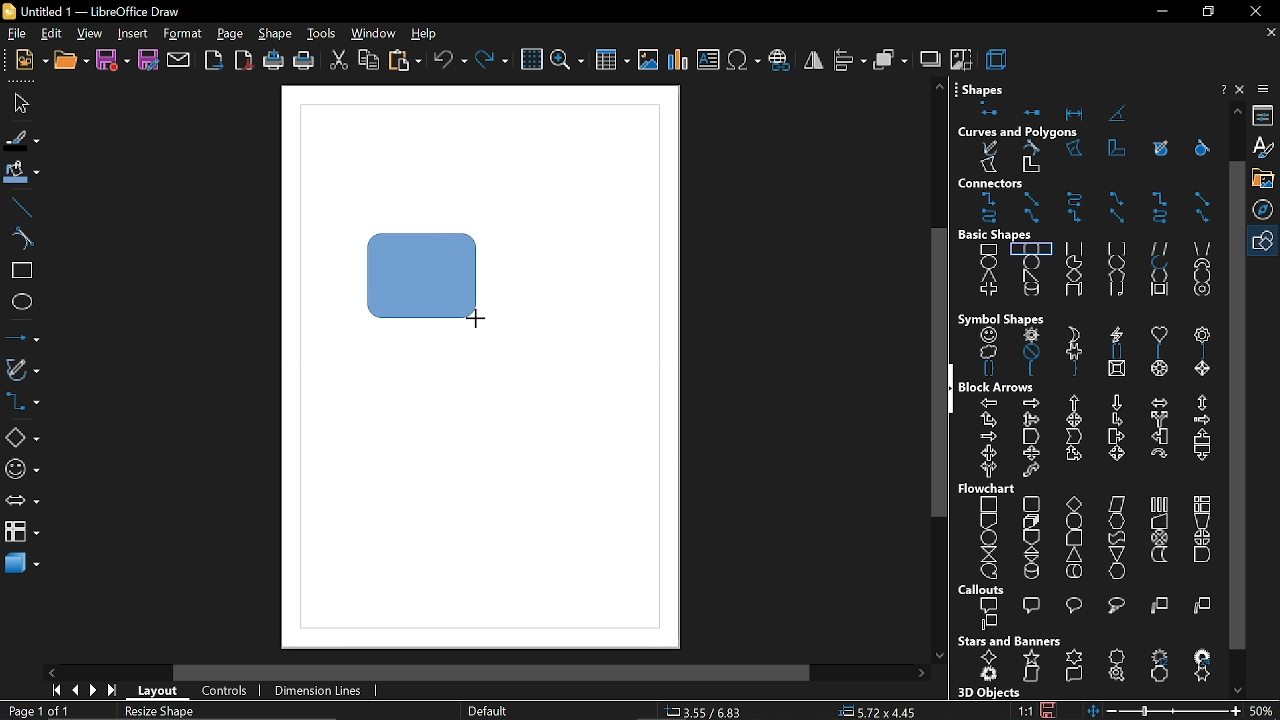  I want to click on go to first page, so click(53, 690).